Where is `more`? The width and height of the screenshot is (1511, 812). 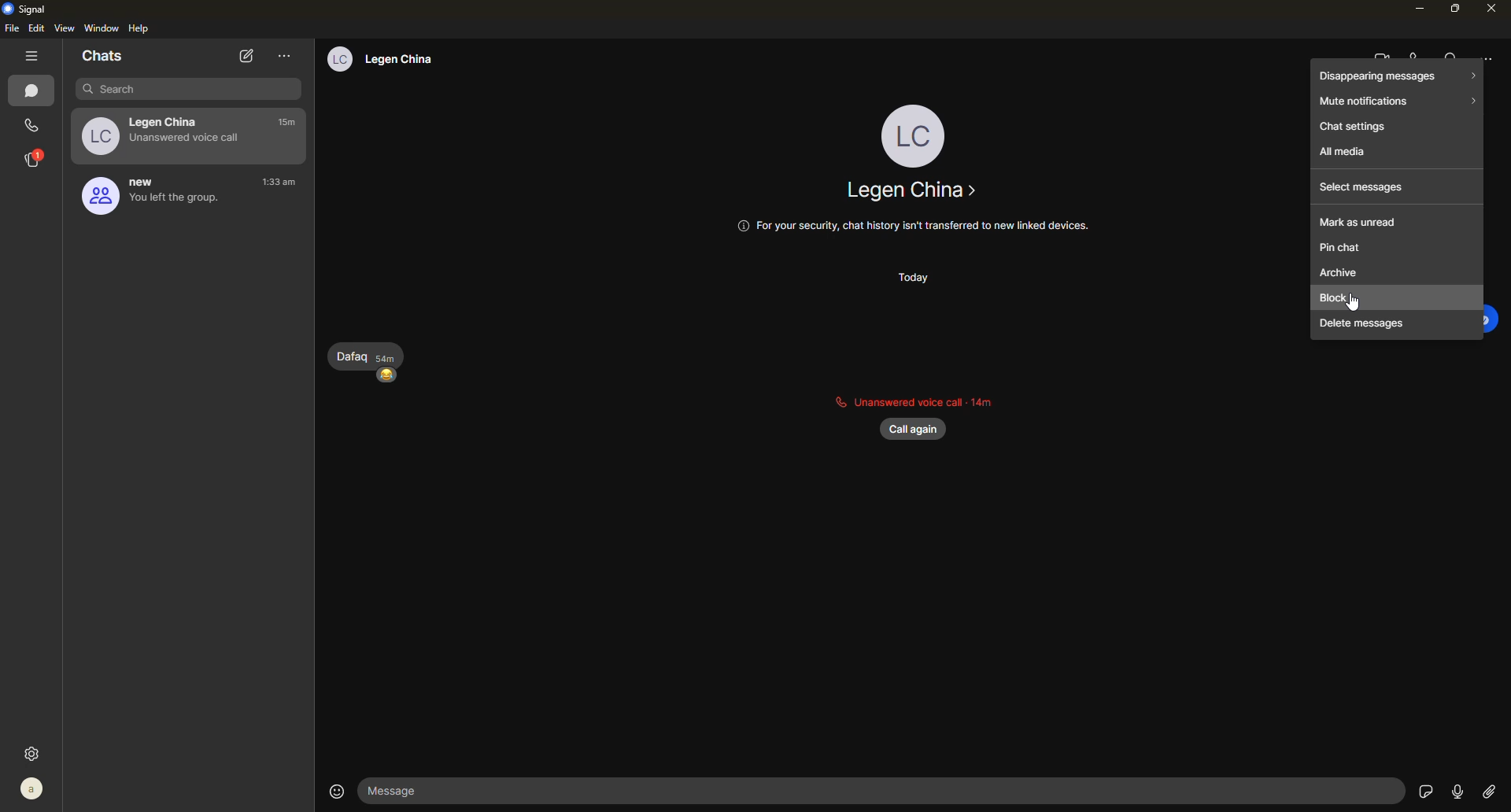
more is located at coordinates (284, 56).